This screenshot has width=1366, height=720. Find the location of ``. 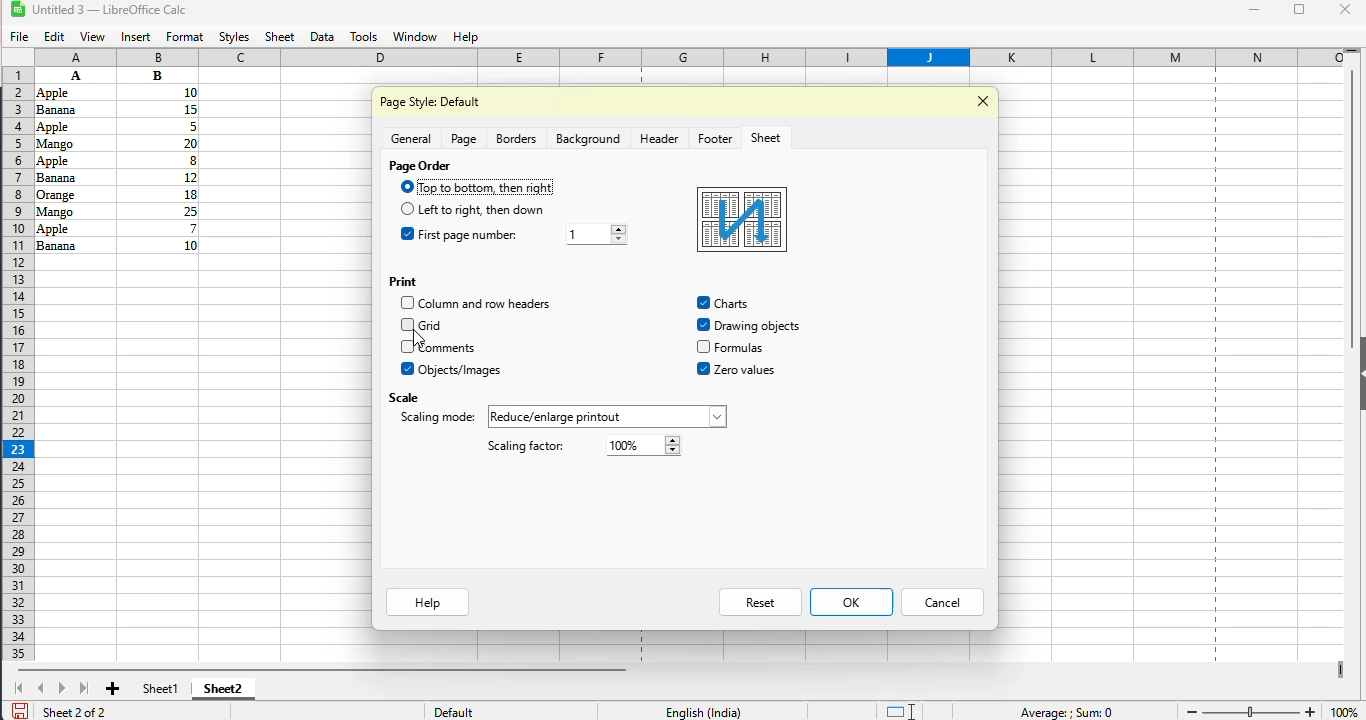

 is located at coordinates (158, 92).